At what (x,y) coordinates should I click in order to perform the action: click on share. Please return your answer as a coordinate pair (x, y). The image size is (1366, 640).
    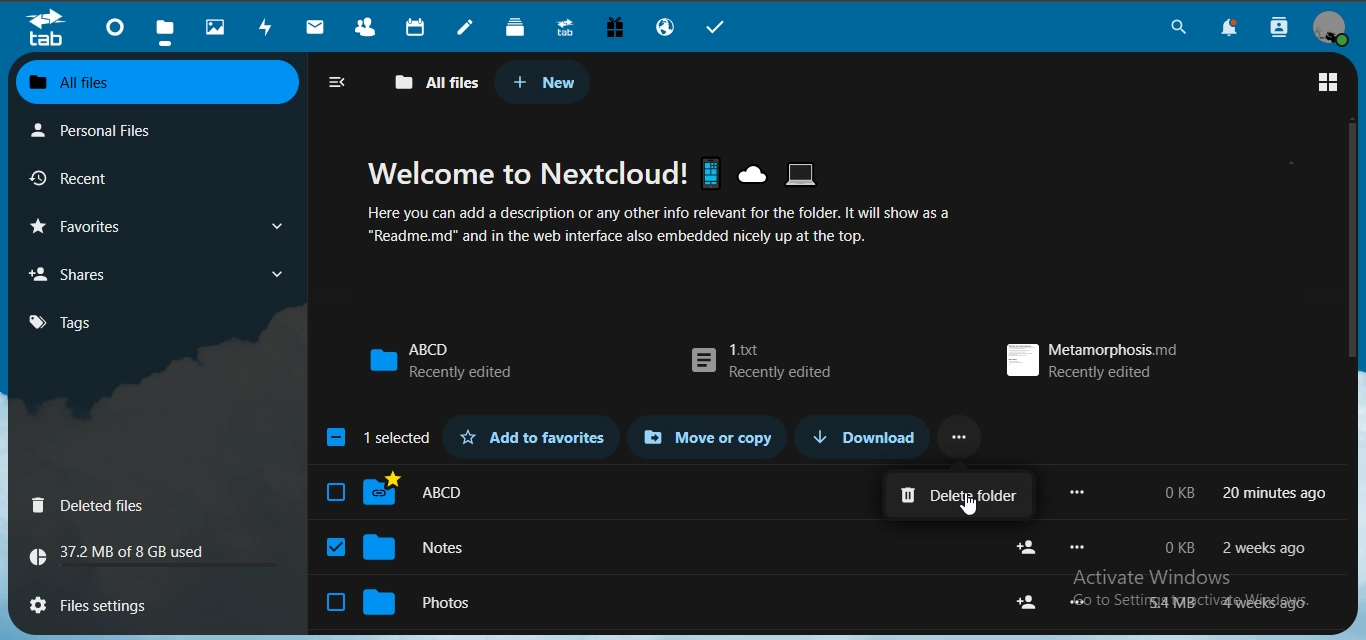
    Looking at the image, I should click on (1030, 550).